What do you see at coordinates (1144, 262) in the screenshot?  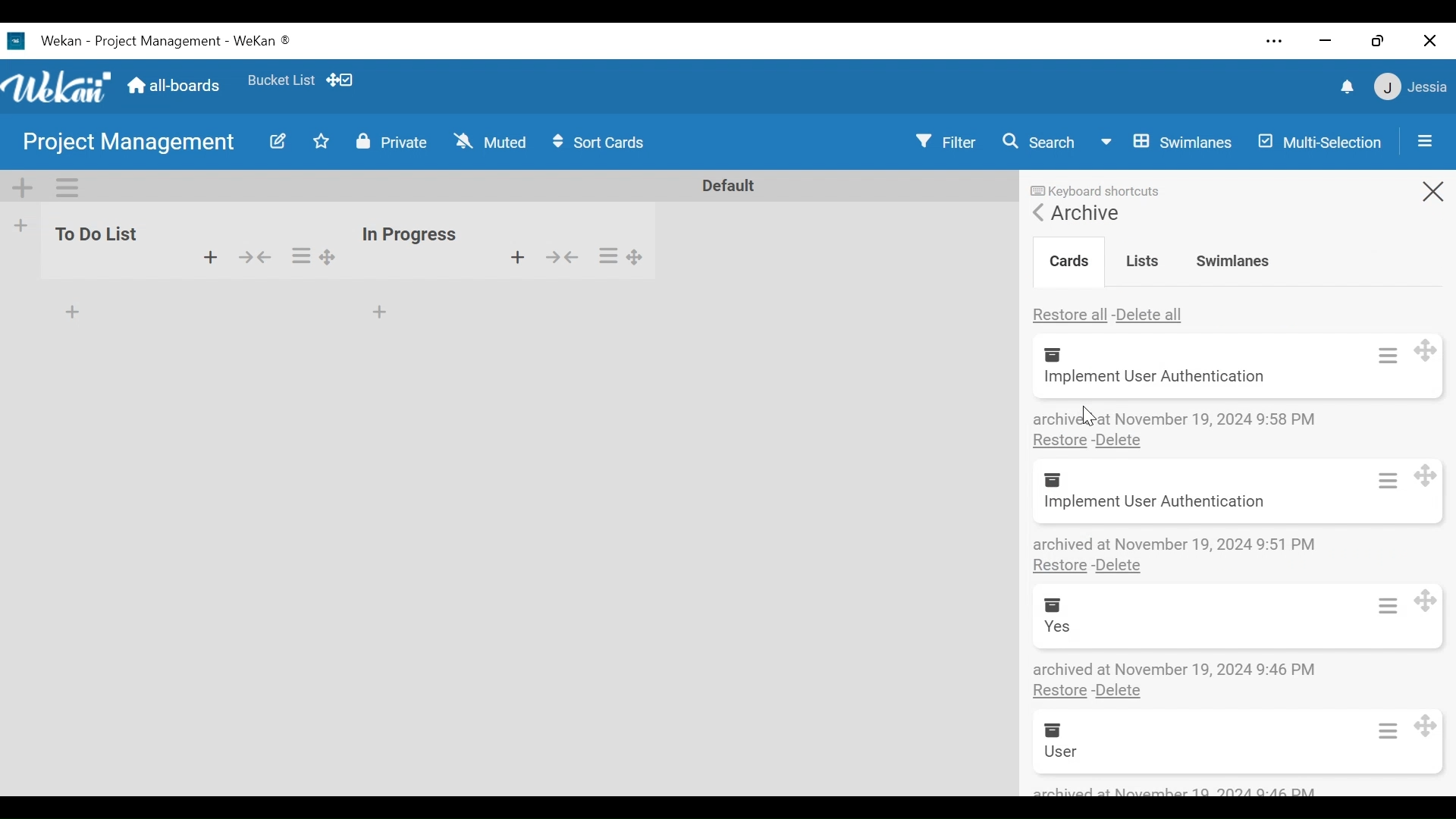 I see `Lists` at bounding box center [1144, 262].